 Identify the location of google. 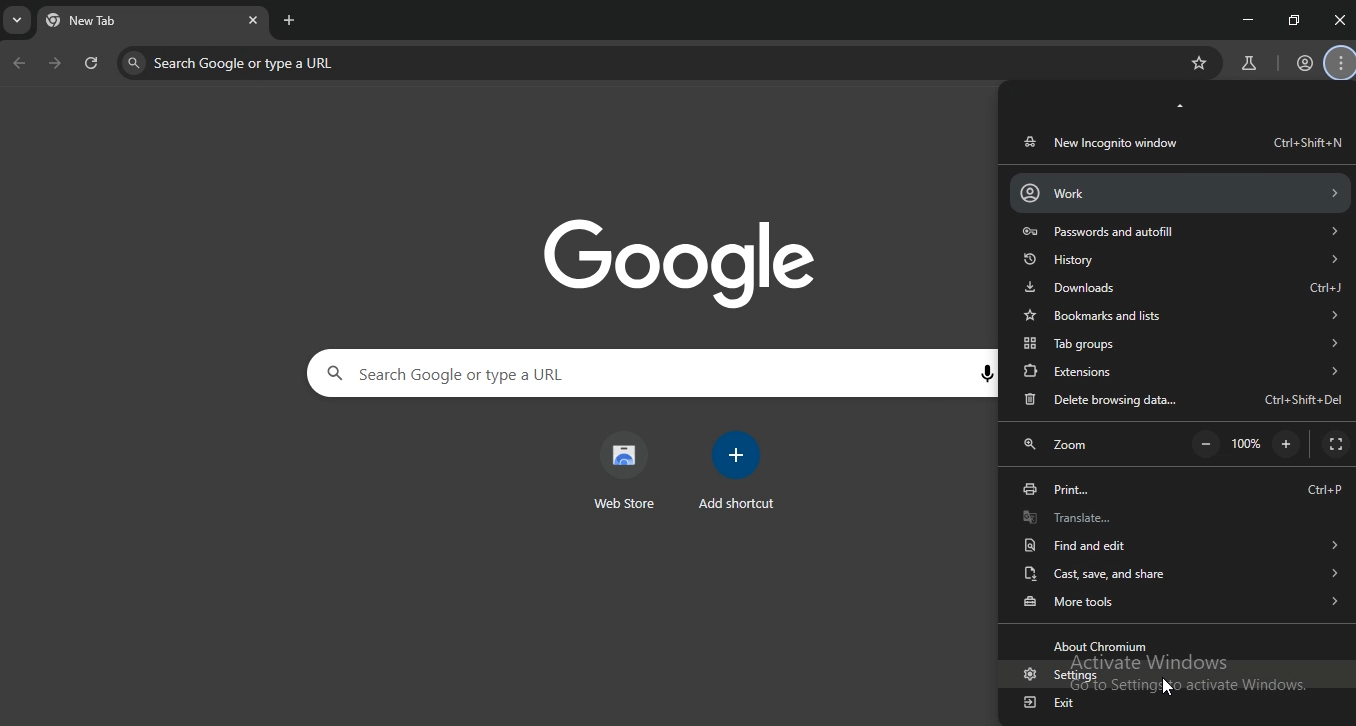
(692, 261).